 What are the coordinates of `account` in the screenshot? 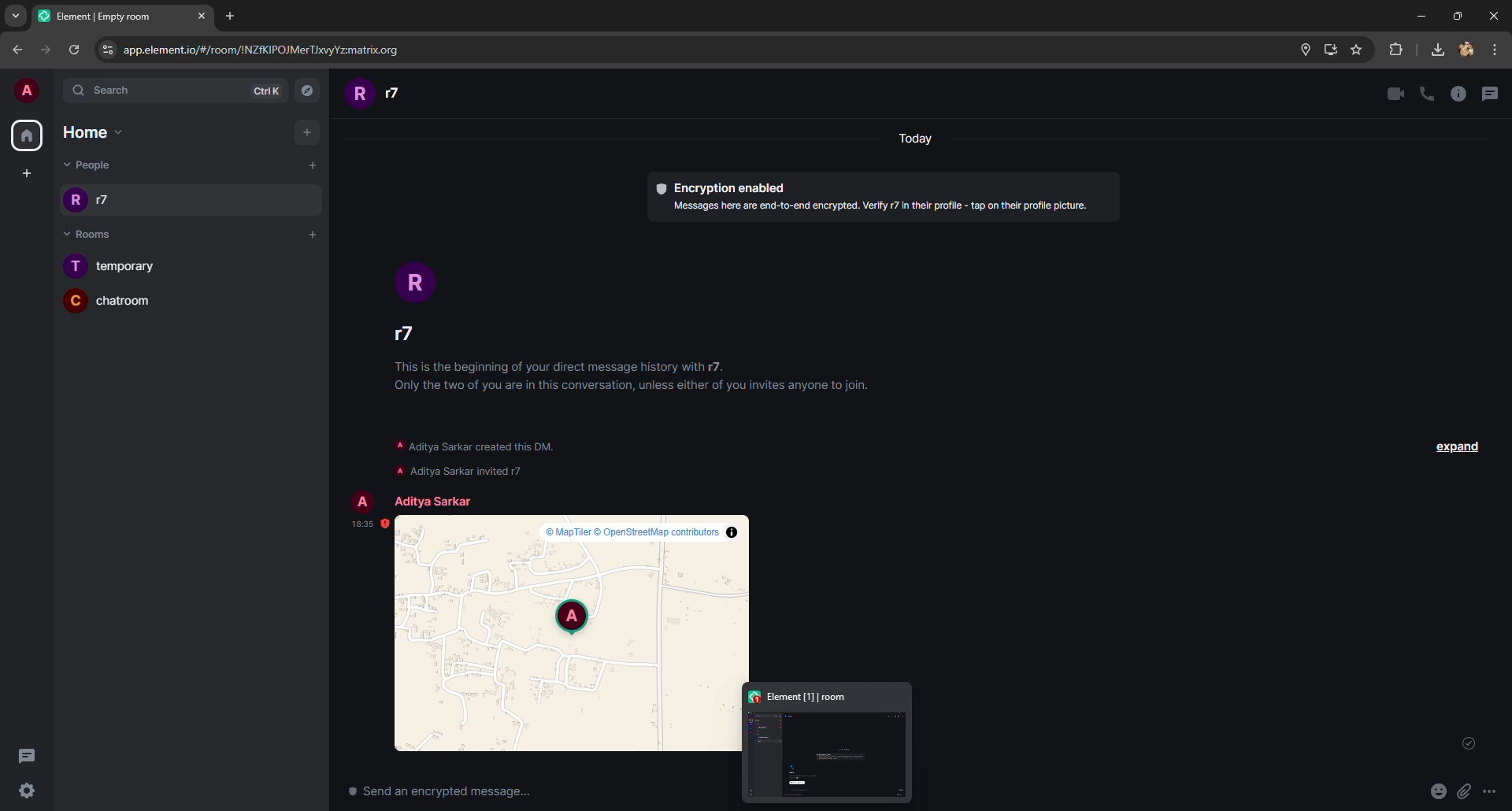 It's located at (407, 296).